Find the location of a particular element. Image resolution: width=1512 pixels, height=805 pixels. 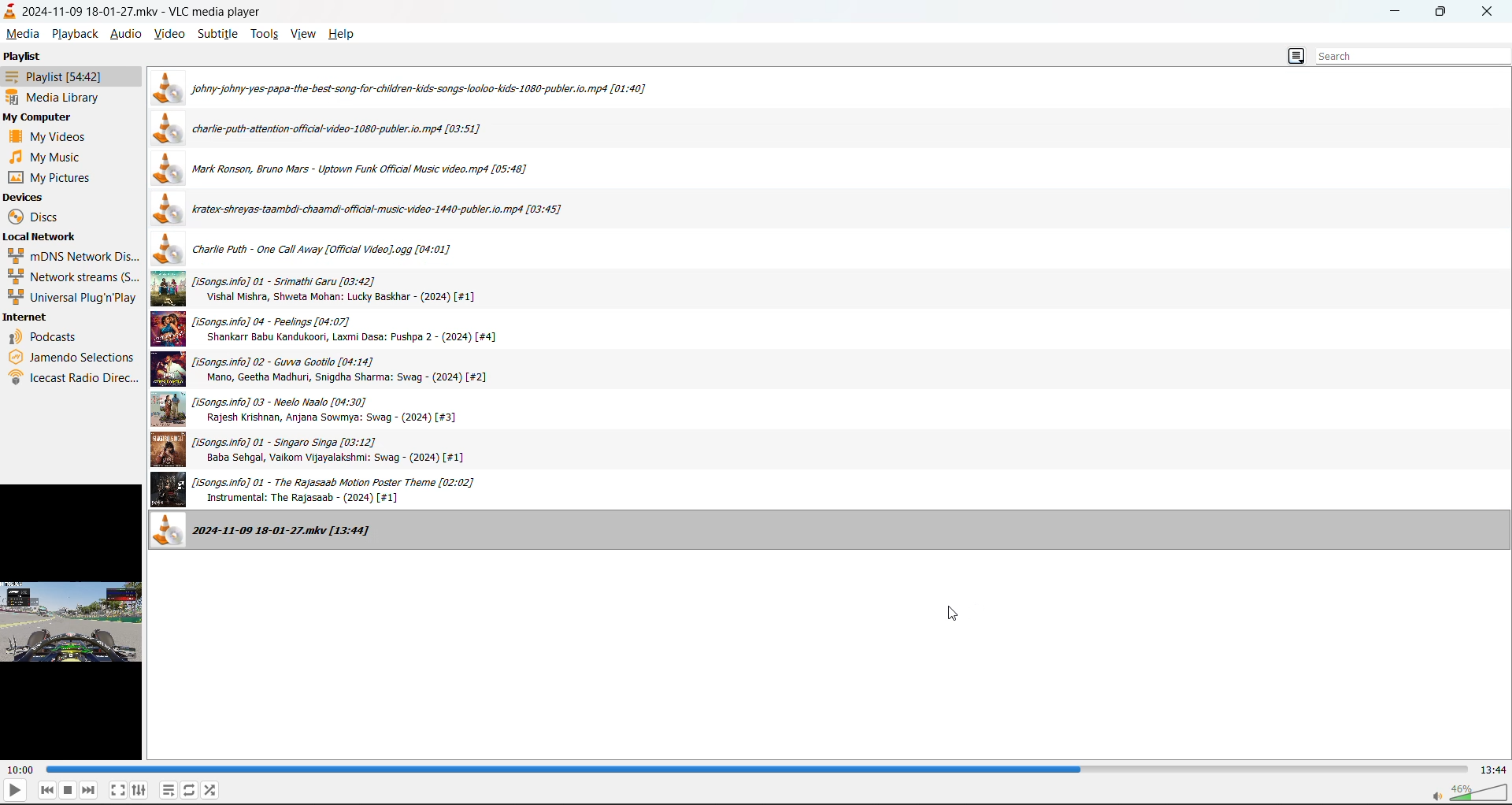

close is located at coordinates (1489, 12).